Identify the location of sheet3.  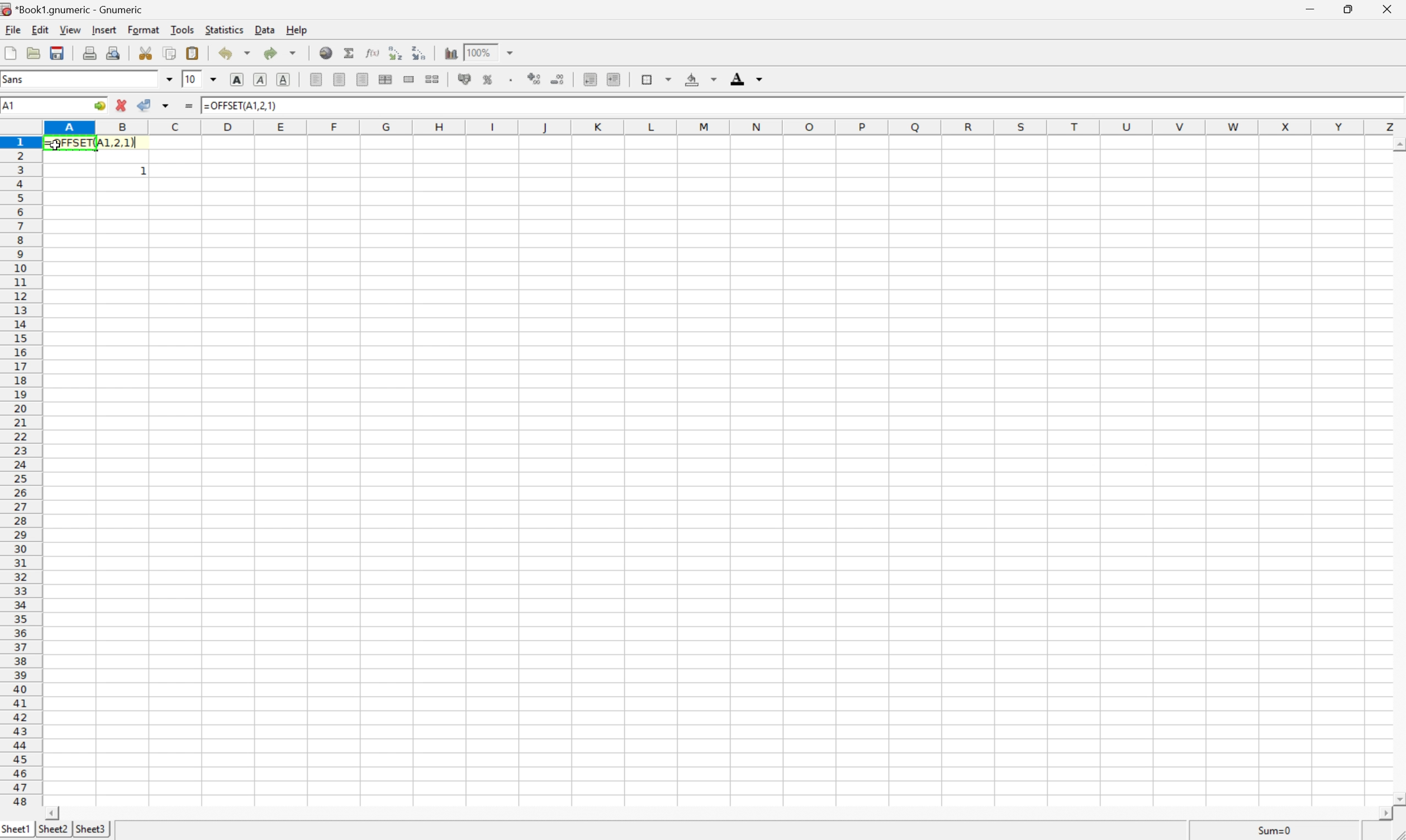
(92, 831).